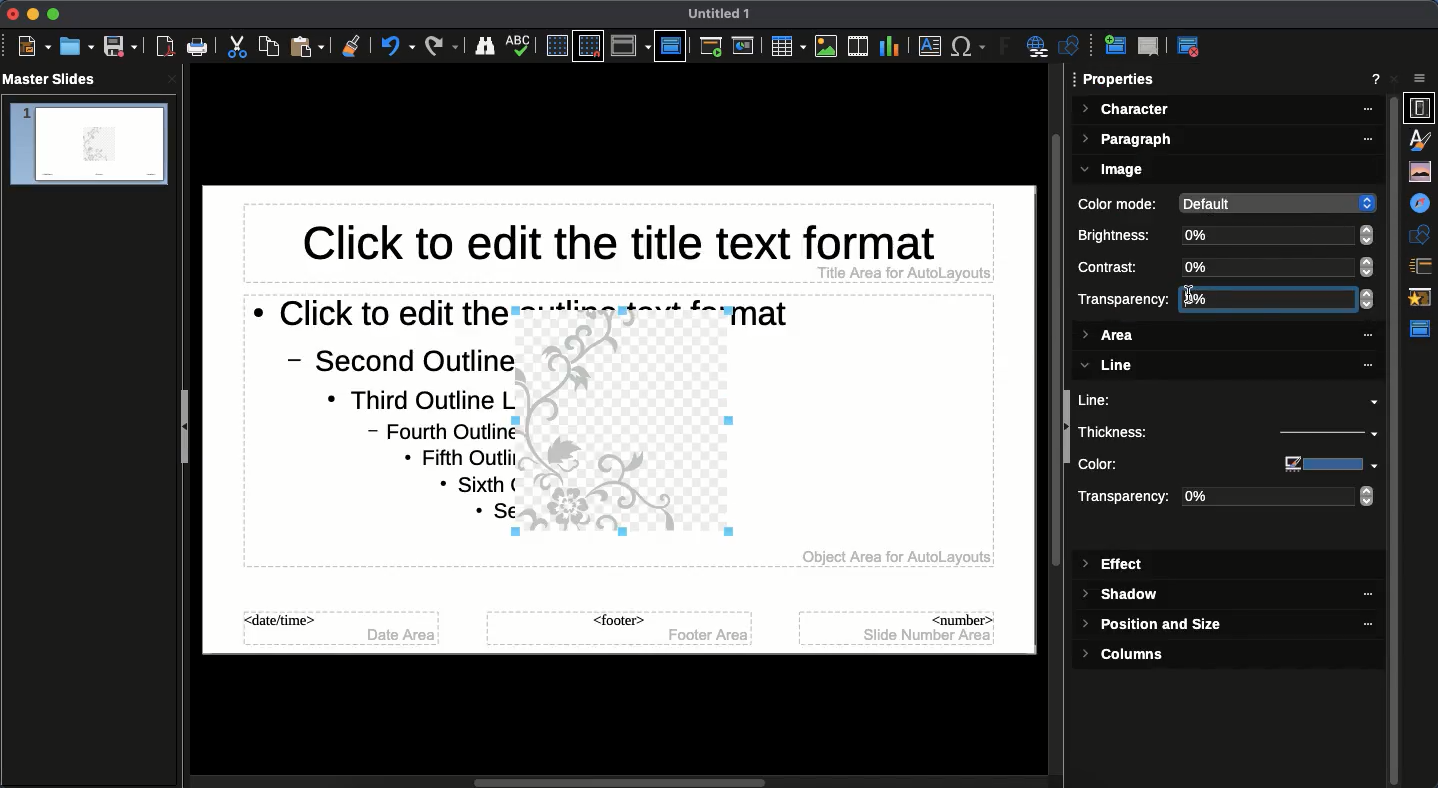 This screenshot has height=788, width=1438. Describe the element at coordinates (397, 46) in the screenshot. I see `Undo` at that location.